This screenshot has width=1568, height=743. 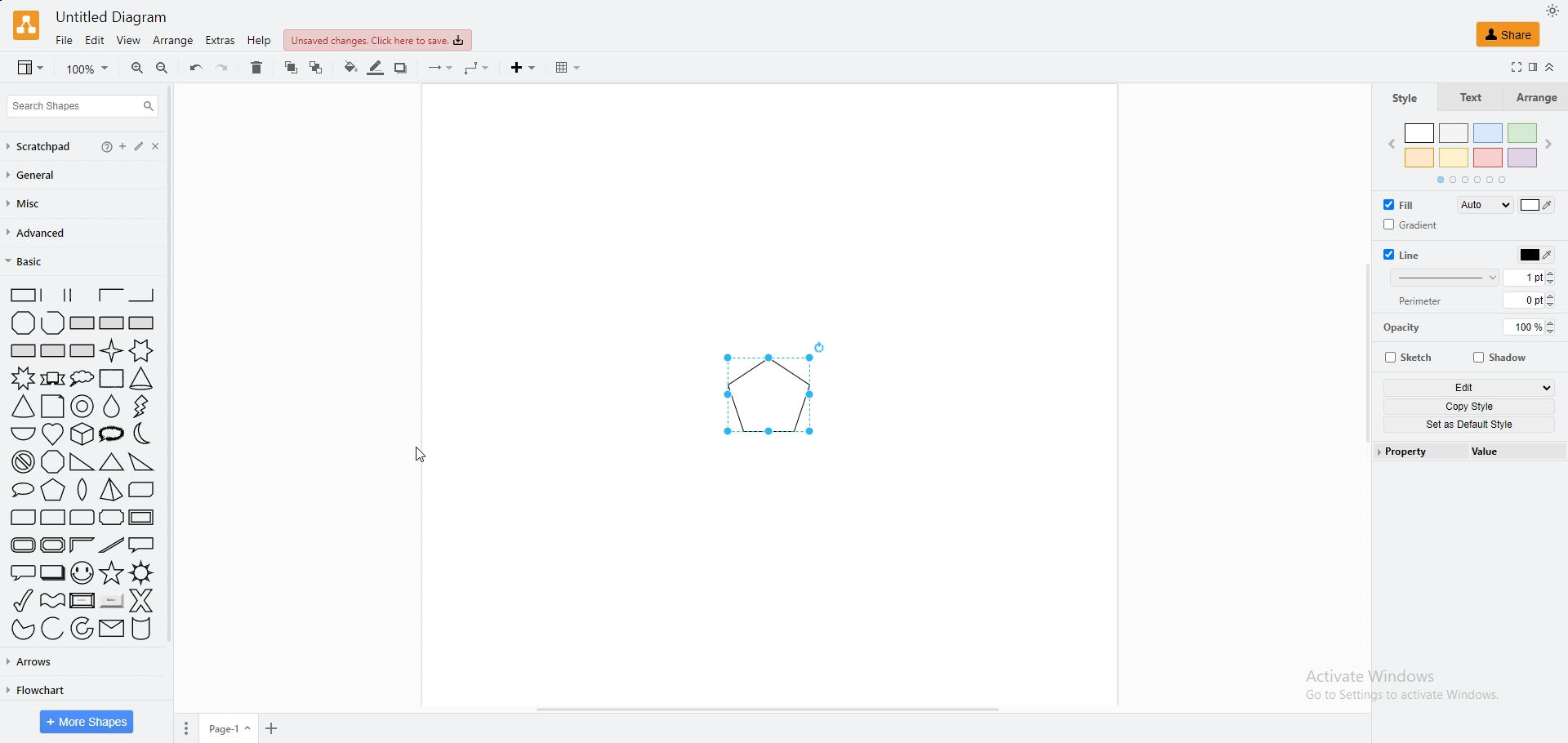 What do you see at coordinates (143, 545) in the screenshot?
I see `rectangular callout` at bounding box center [143, 545].